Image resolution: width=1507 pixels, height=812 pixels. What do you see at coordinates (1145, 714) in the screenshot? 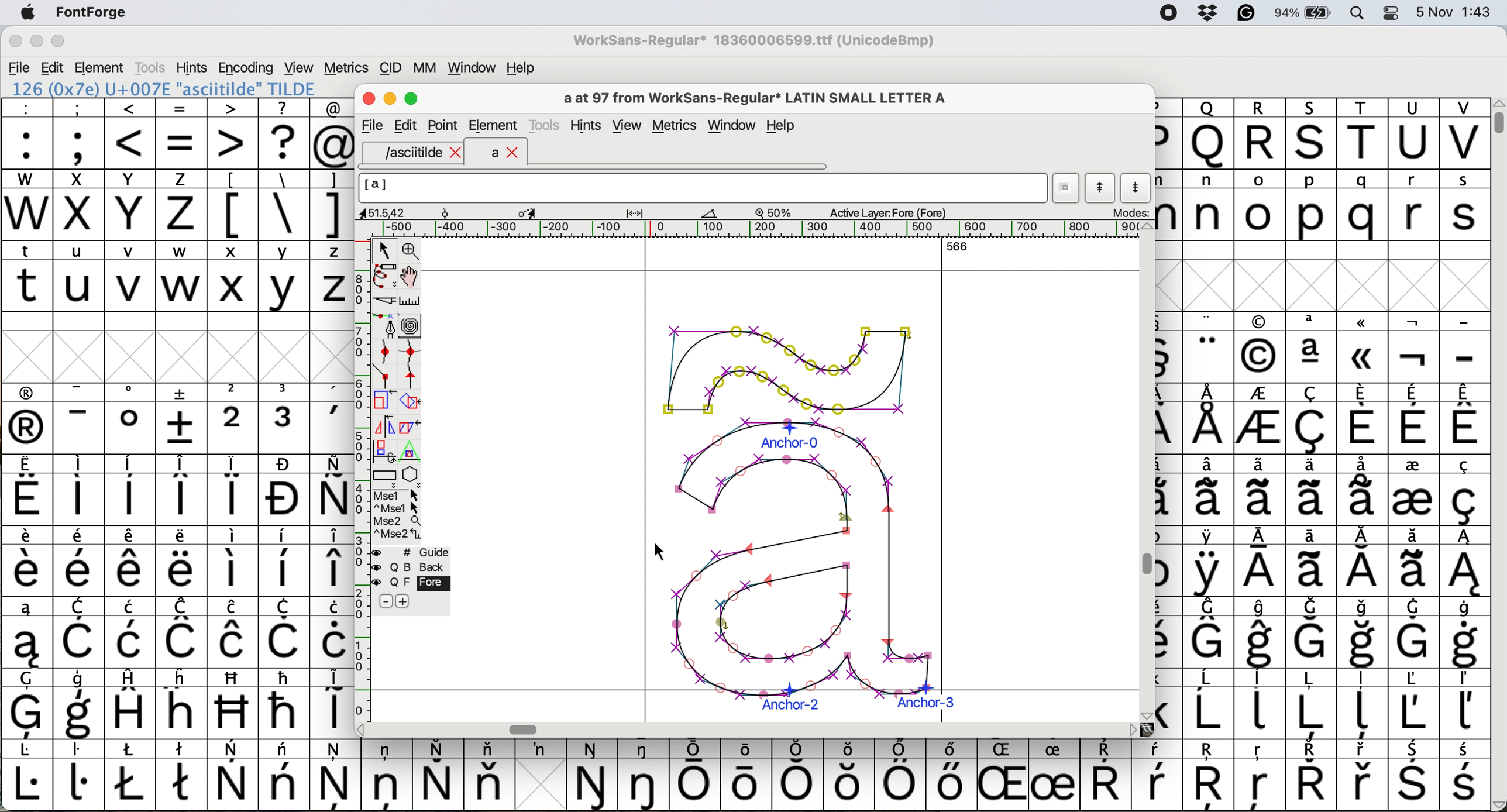
I see `scroll button` at bounding box center [1145, 714].